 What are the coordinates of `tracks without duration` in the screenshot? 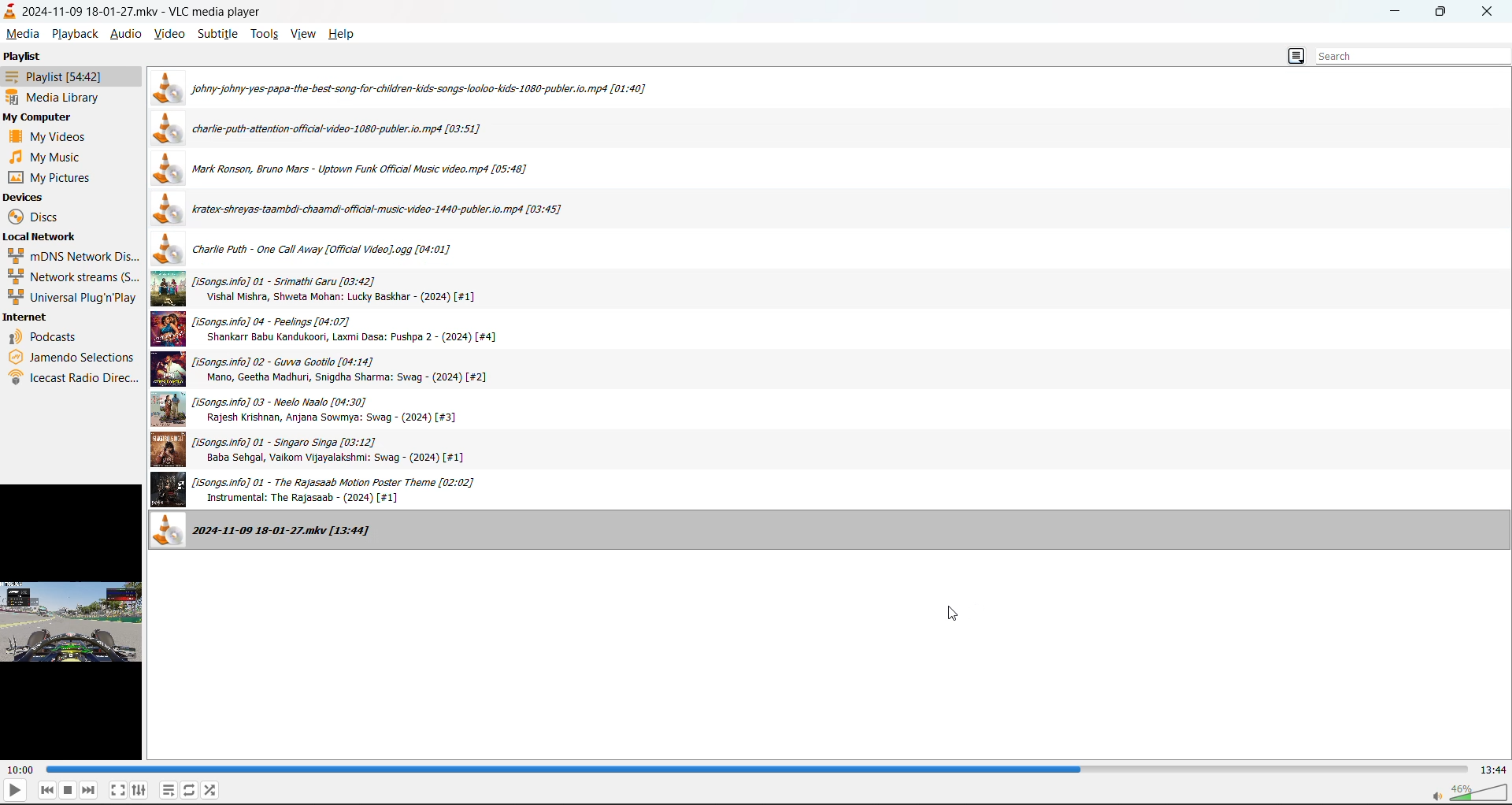 It's located at (281, 533).